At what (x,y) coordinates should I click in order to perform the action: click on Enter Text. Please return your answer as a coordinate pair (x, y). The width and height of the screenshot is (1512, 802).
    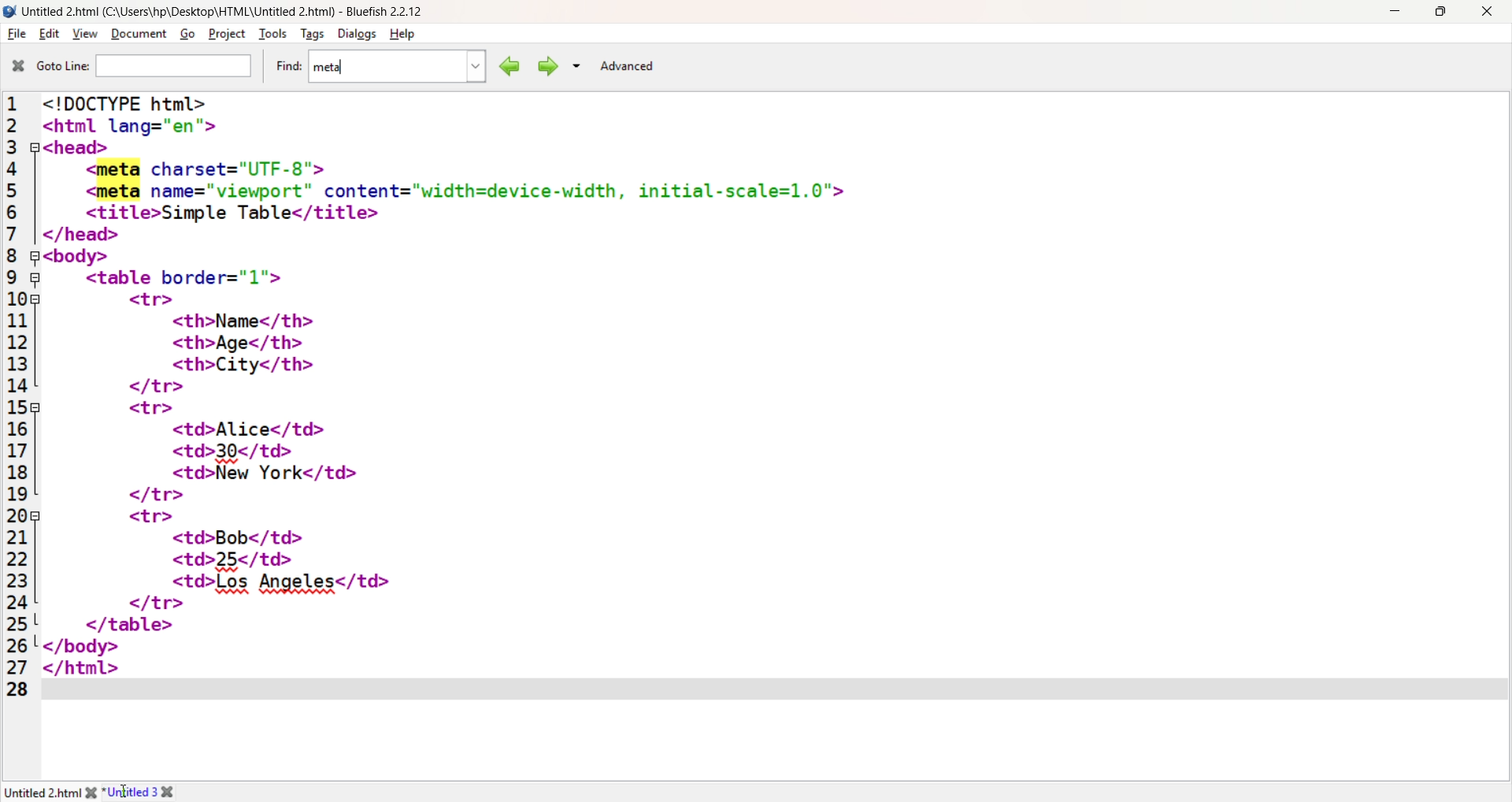
    Looking at the image, I should click on (773, 688).